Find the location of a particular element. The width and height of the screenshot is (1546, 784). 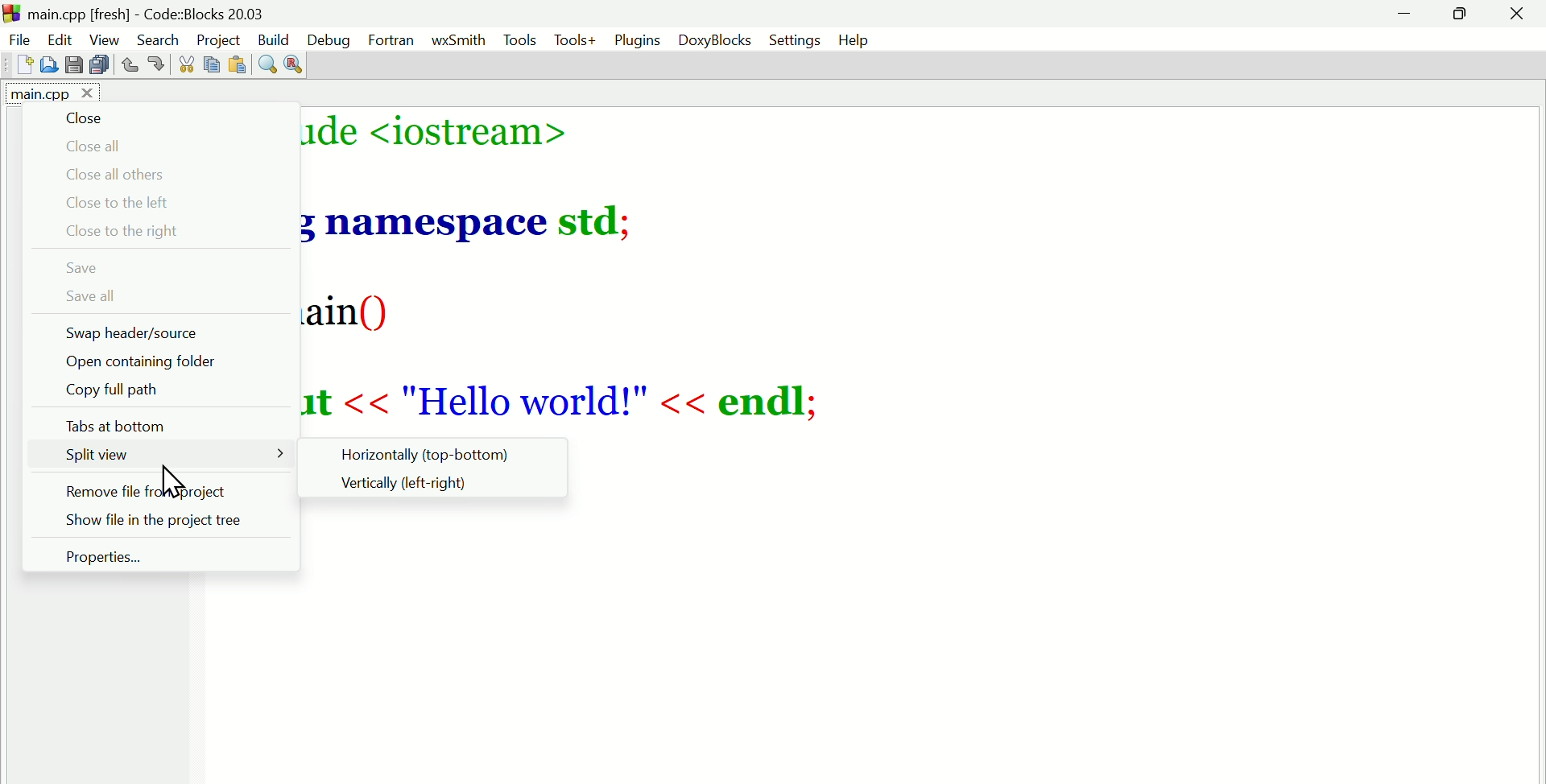

Close is located at coordinates (1518, 17).